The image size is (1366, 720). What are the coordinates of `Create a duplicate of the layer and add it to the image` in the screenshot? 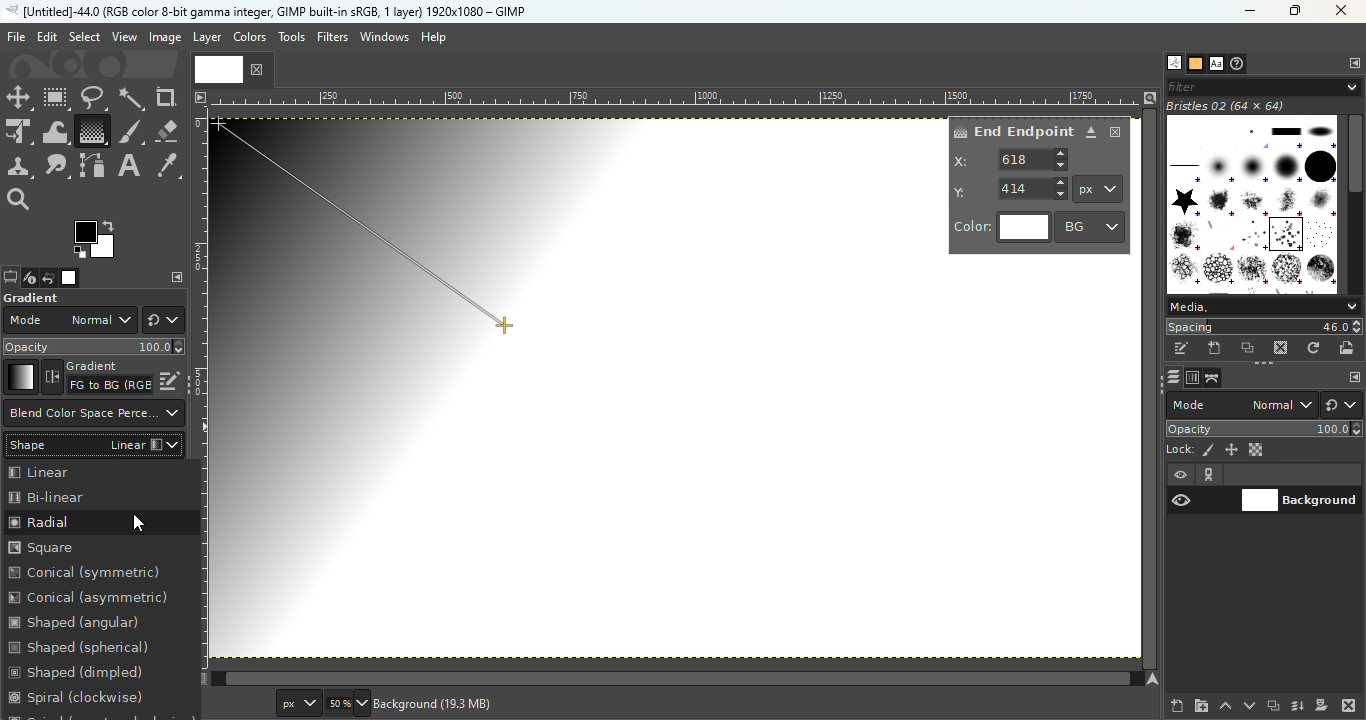 It's located at (1272, 707).